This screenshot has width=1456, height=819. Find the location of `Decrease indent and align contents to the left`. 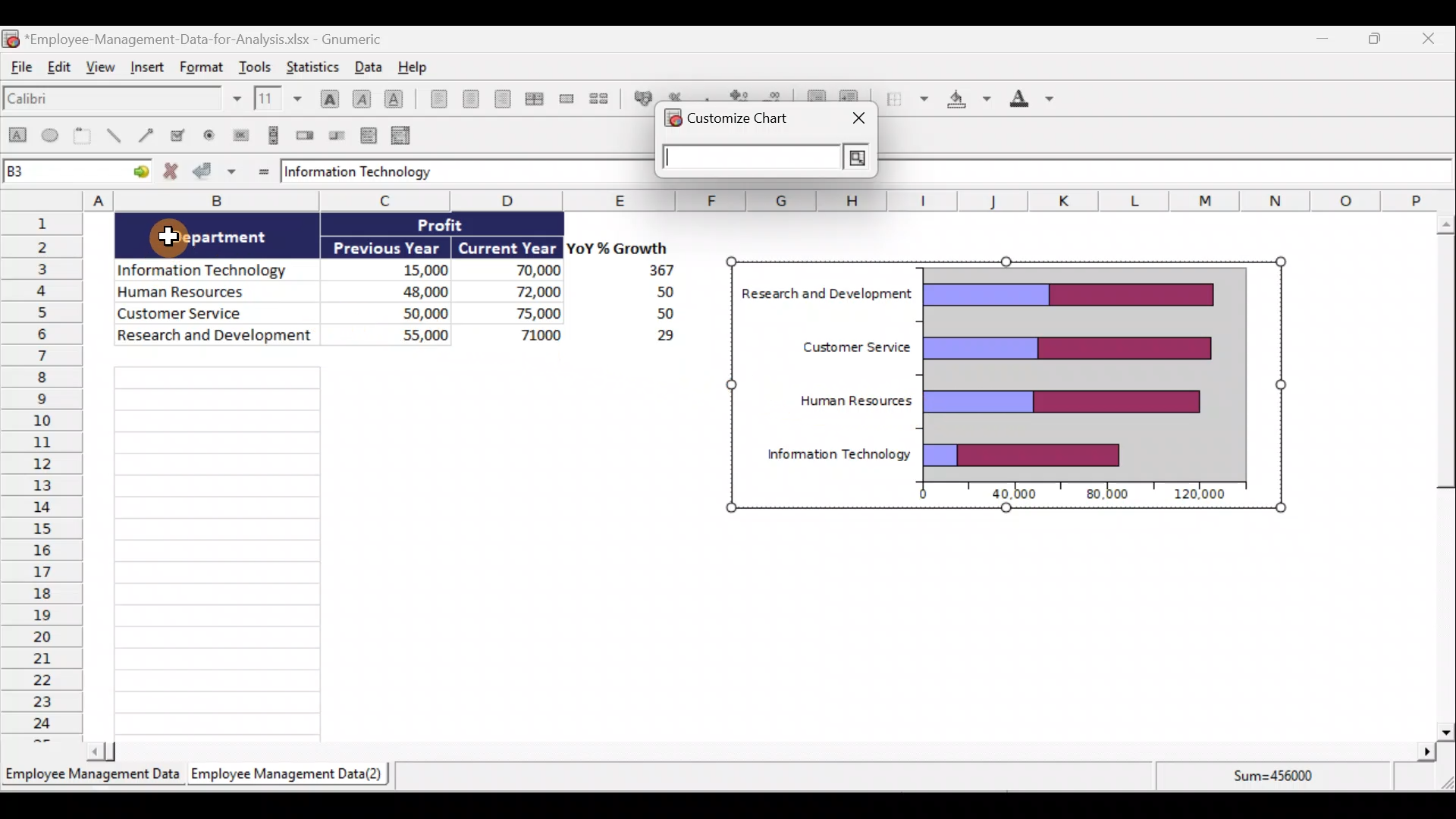

Decrease indent and align contents to the left is located at coordinates (813, 93).